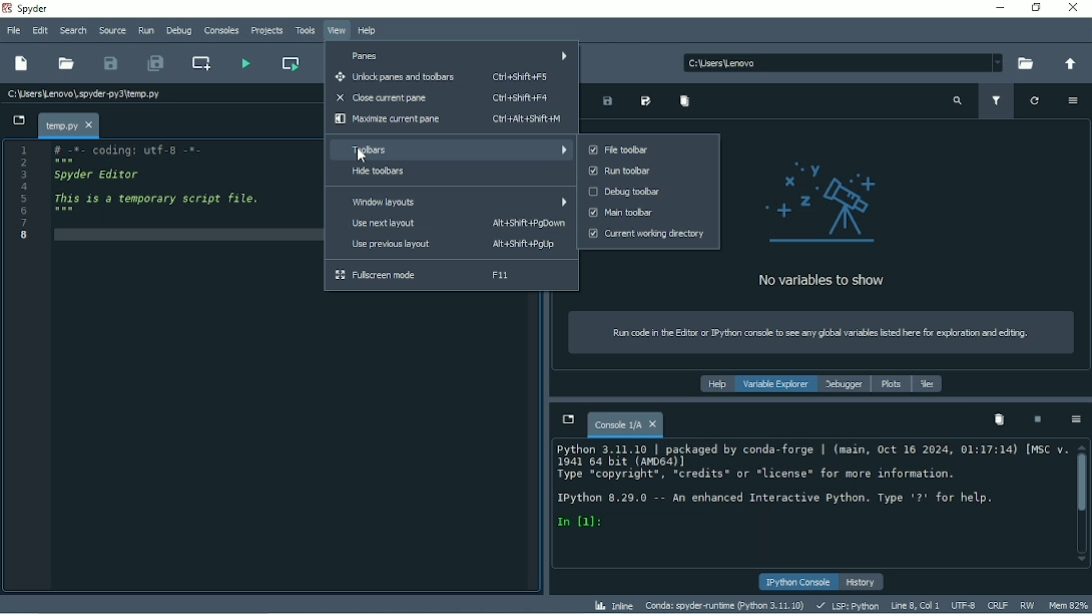 This screenshot has width=1092, height=614. Describe the element at coordinates (567, 419) in the screenshot. I see `Browse tabs` at that location.